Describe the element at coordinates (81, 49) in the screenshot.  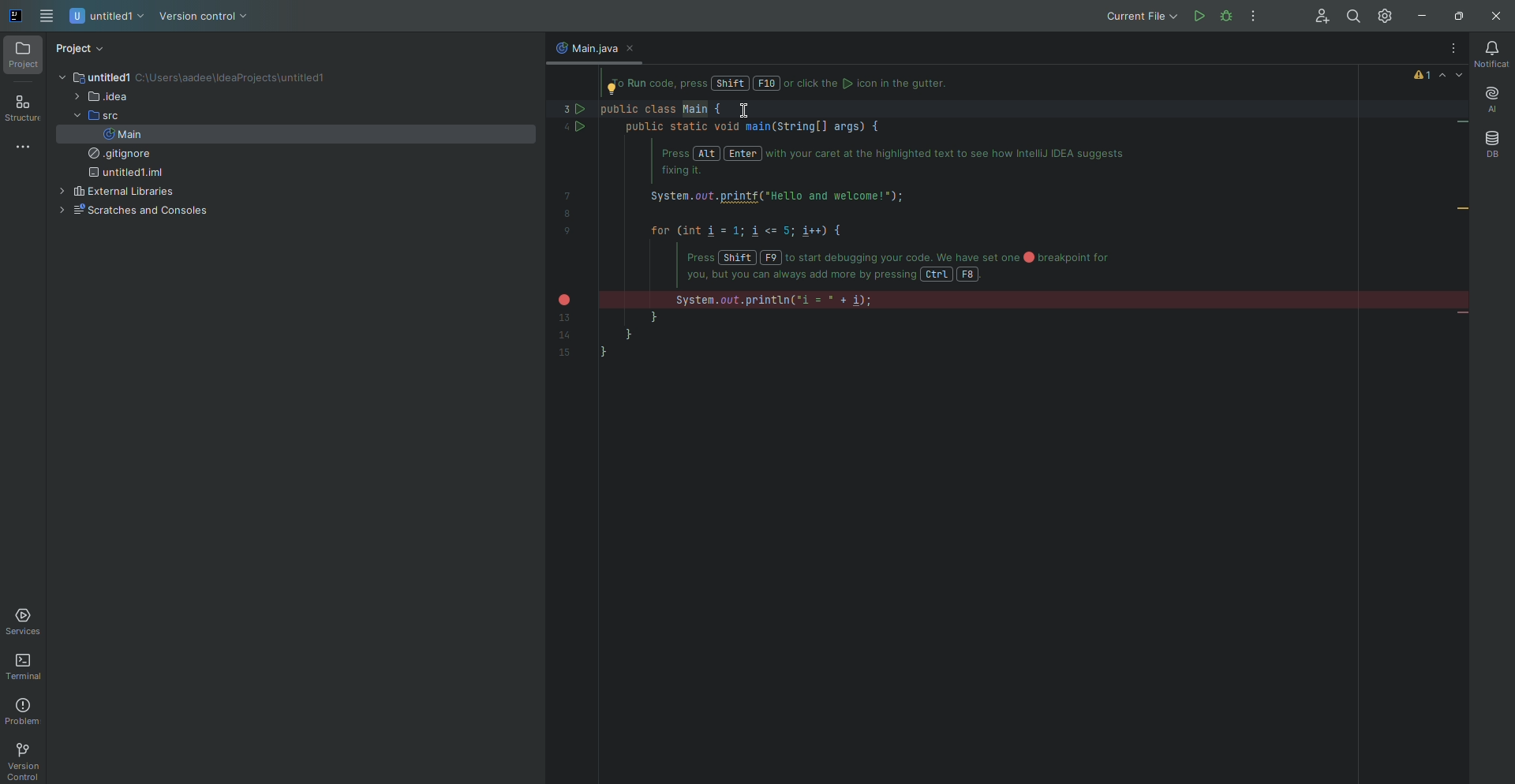
I see `Project` at that location.